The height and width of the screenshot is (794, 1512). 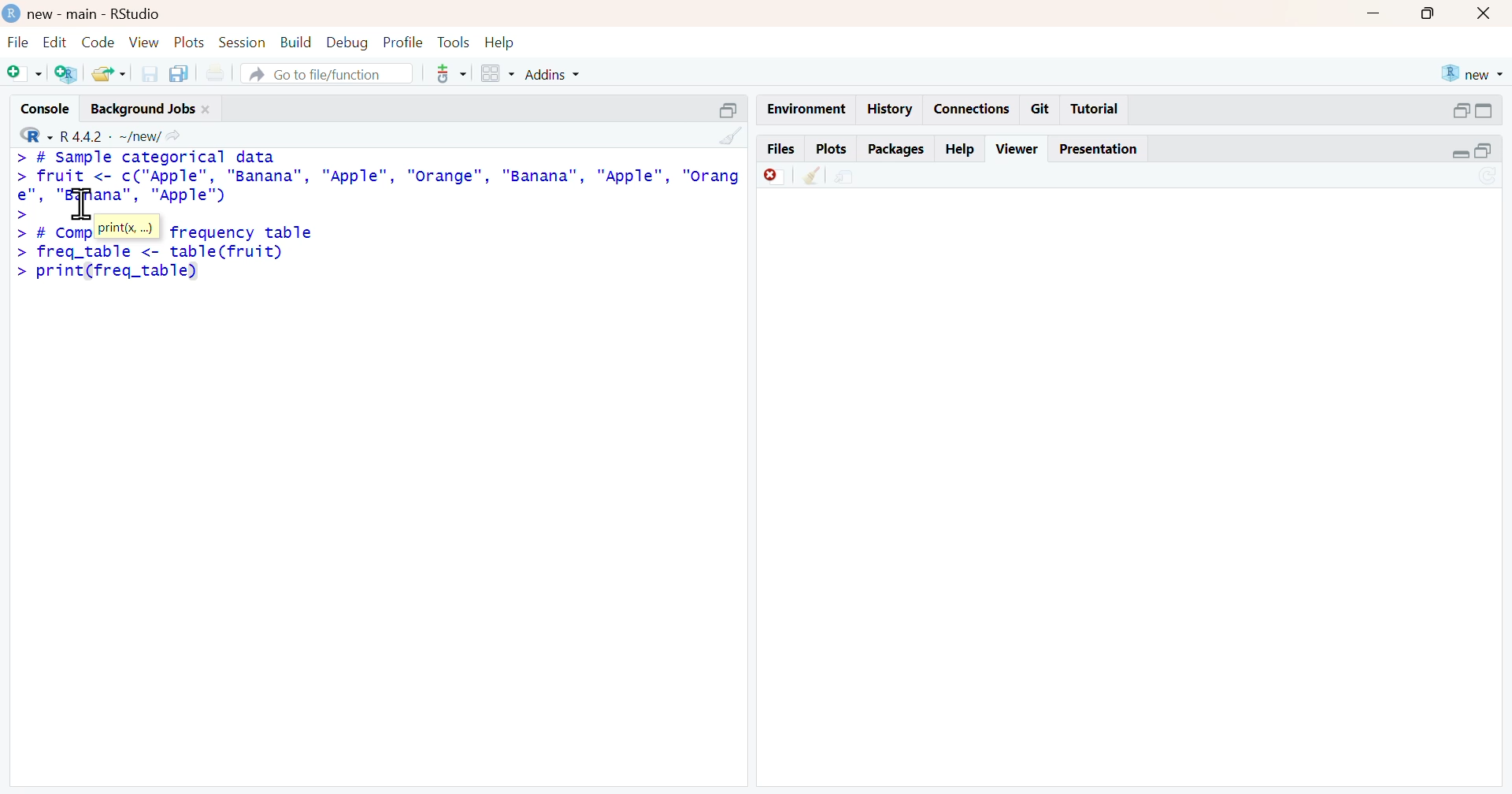 What do you see at coordinates (24, 74) in the screenshot?
I see `new script` at bounding box center [24, 74].